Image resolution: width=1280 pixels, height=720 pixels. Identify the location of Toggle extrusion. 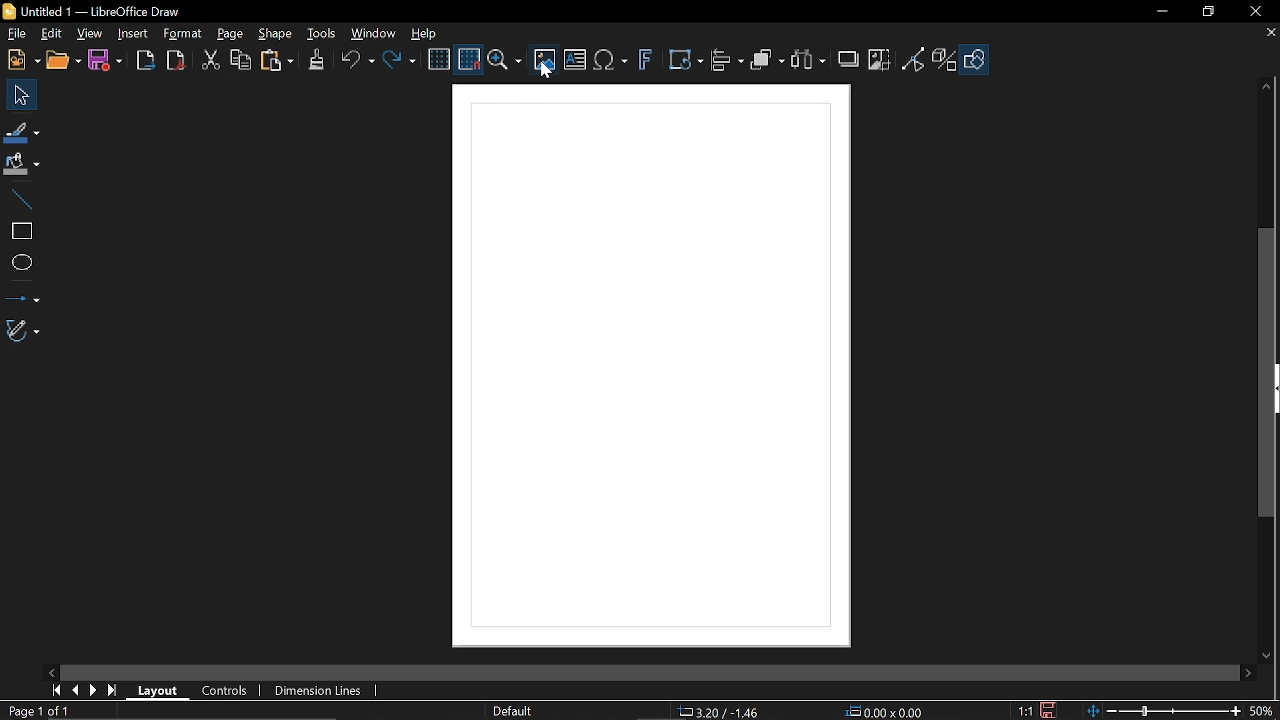
(943, 60).